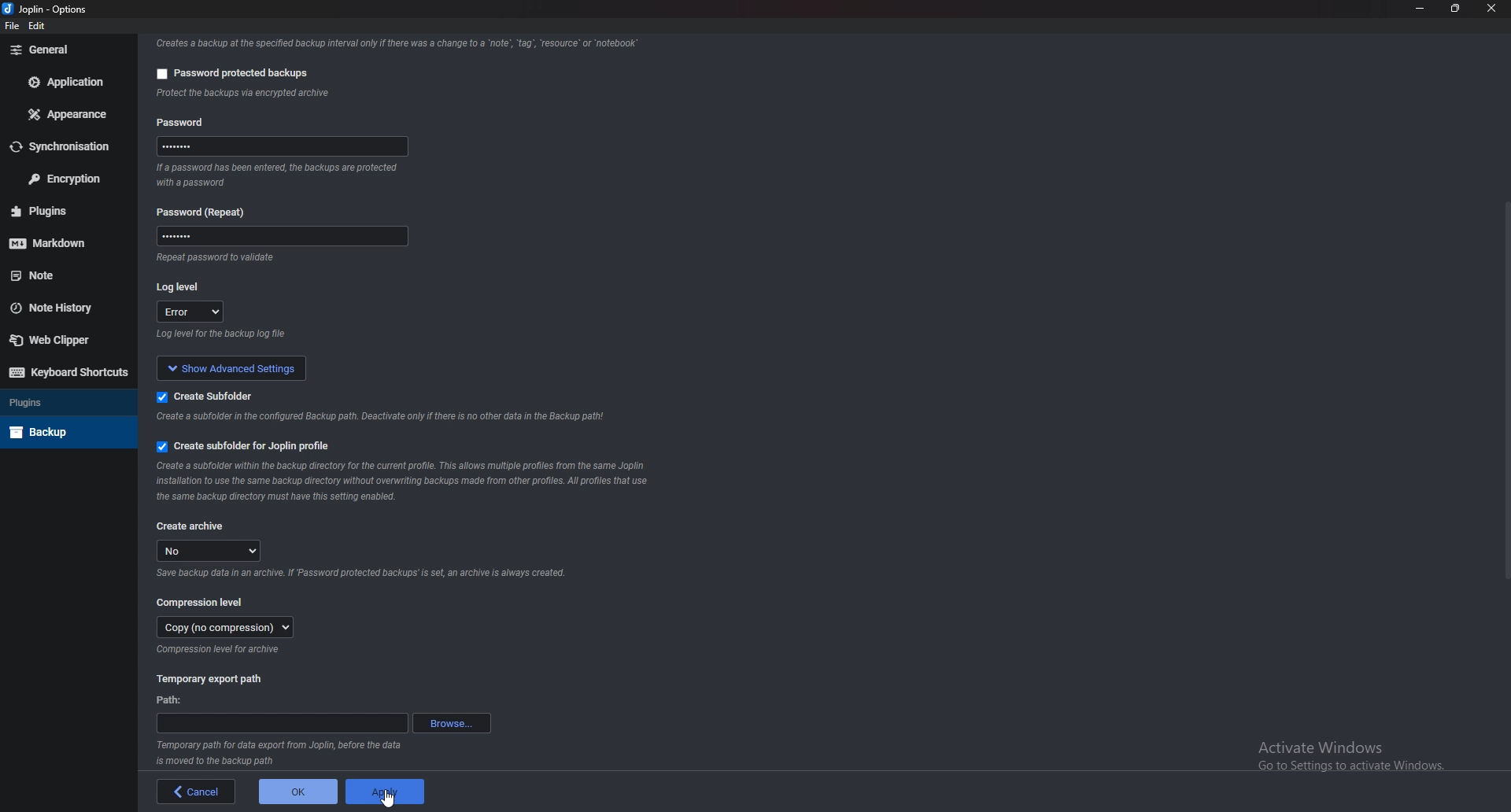 The height and width of the screenshot is (812, 1511). I want to click on no, so click(212, 551).